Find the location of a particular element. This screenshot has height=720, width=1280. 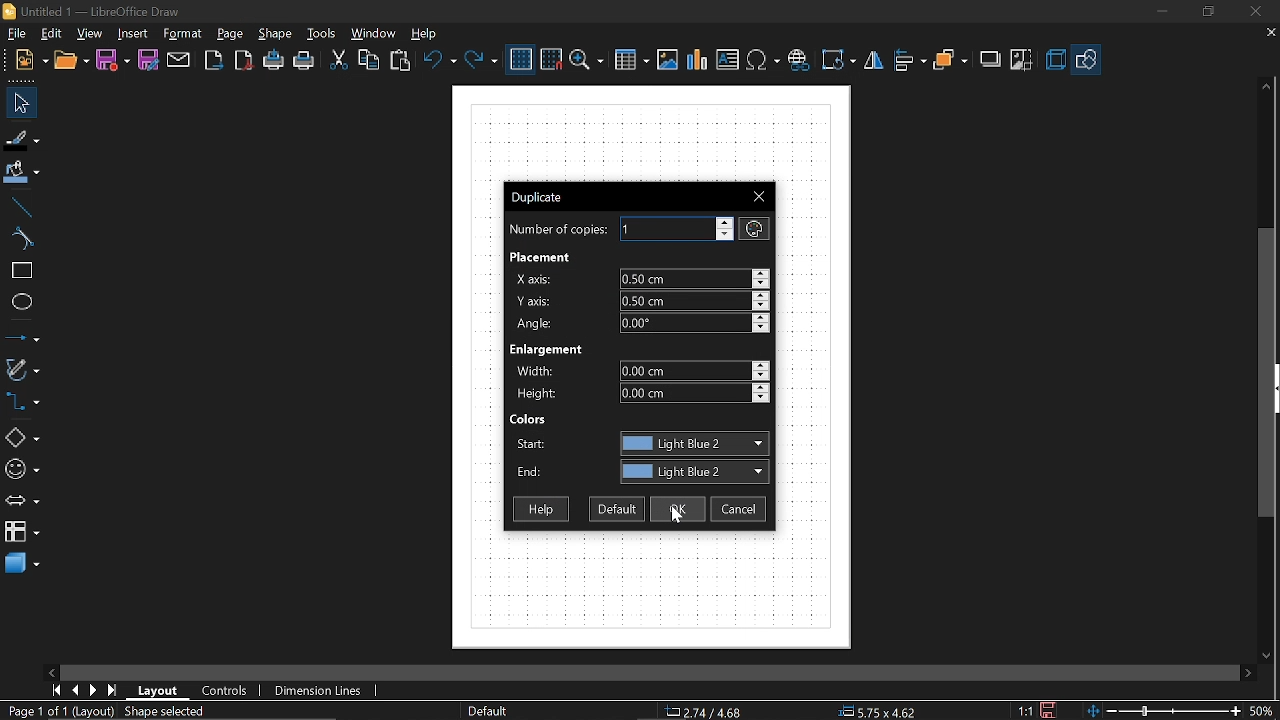

Curve is located at coordinates (19, 240).